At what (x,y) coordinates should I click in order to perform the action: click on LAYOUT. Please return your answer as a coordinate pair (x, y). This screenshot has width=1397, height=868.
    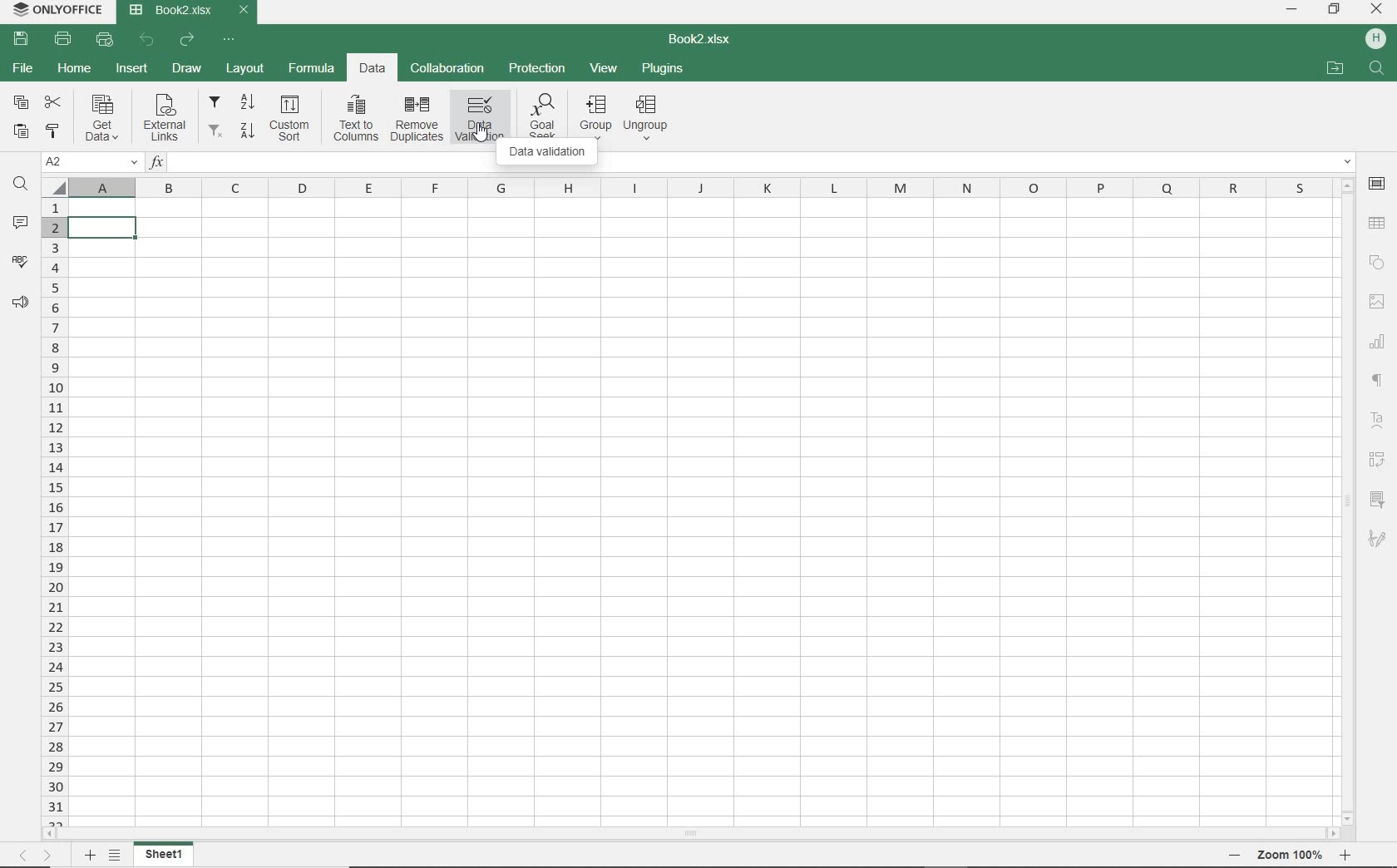
    Looking at the image, I should click on (245, 68).